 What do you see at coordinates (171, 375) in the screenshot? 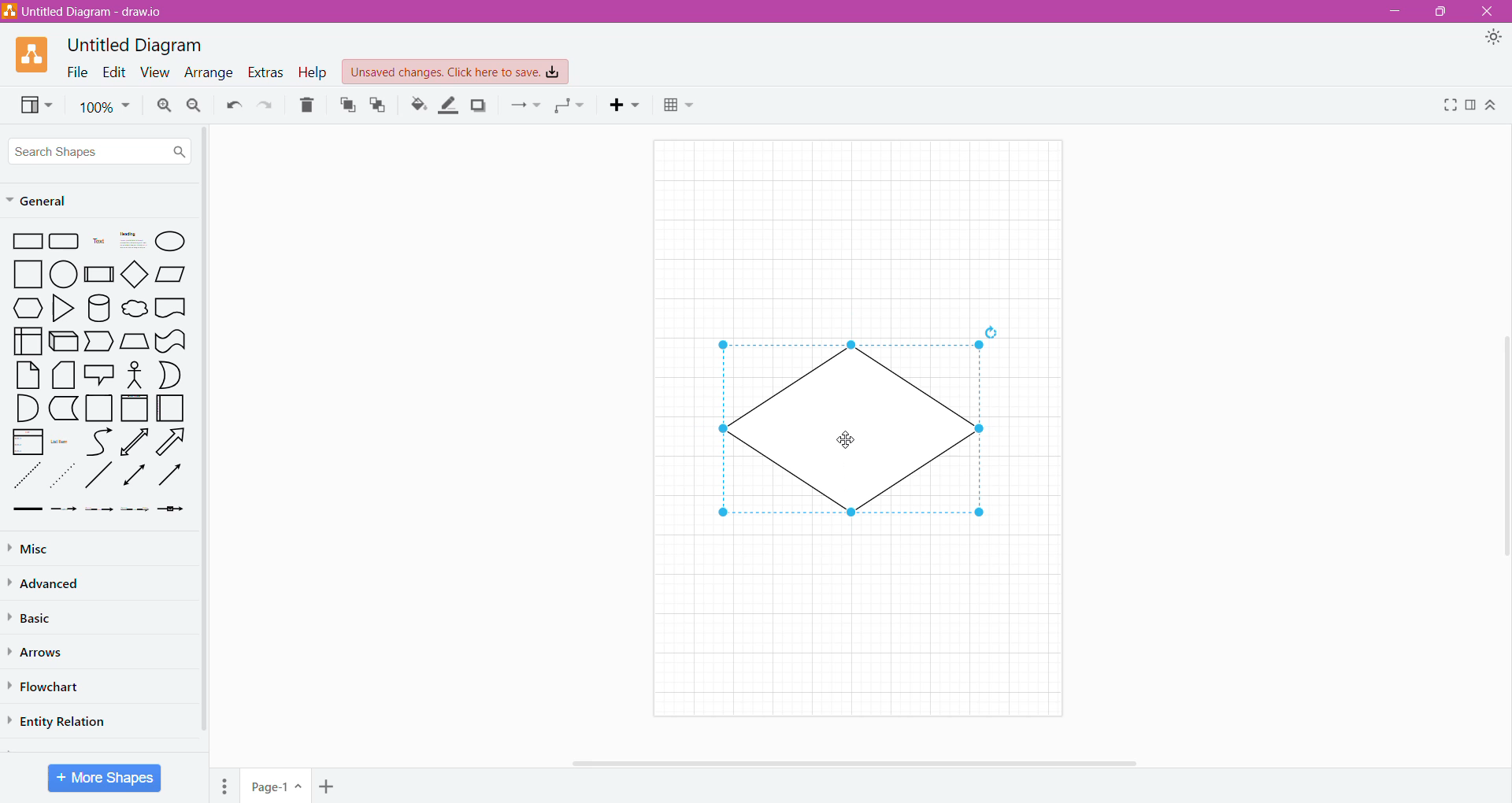
I see `Or` at bounding box center [171, 375].